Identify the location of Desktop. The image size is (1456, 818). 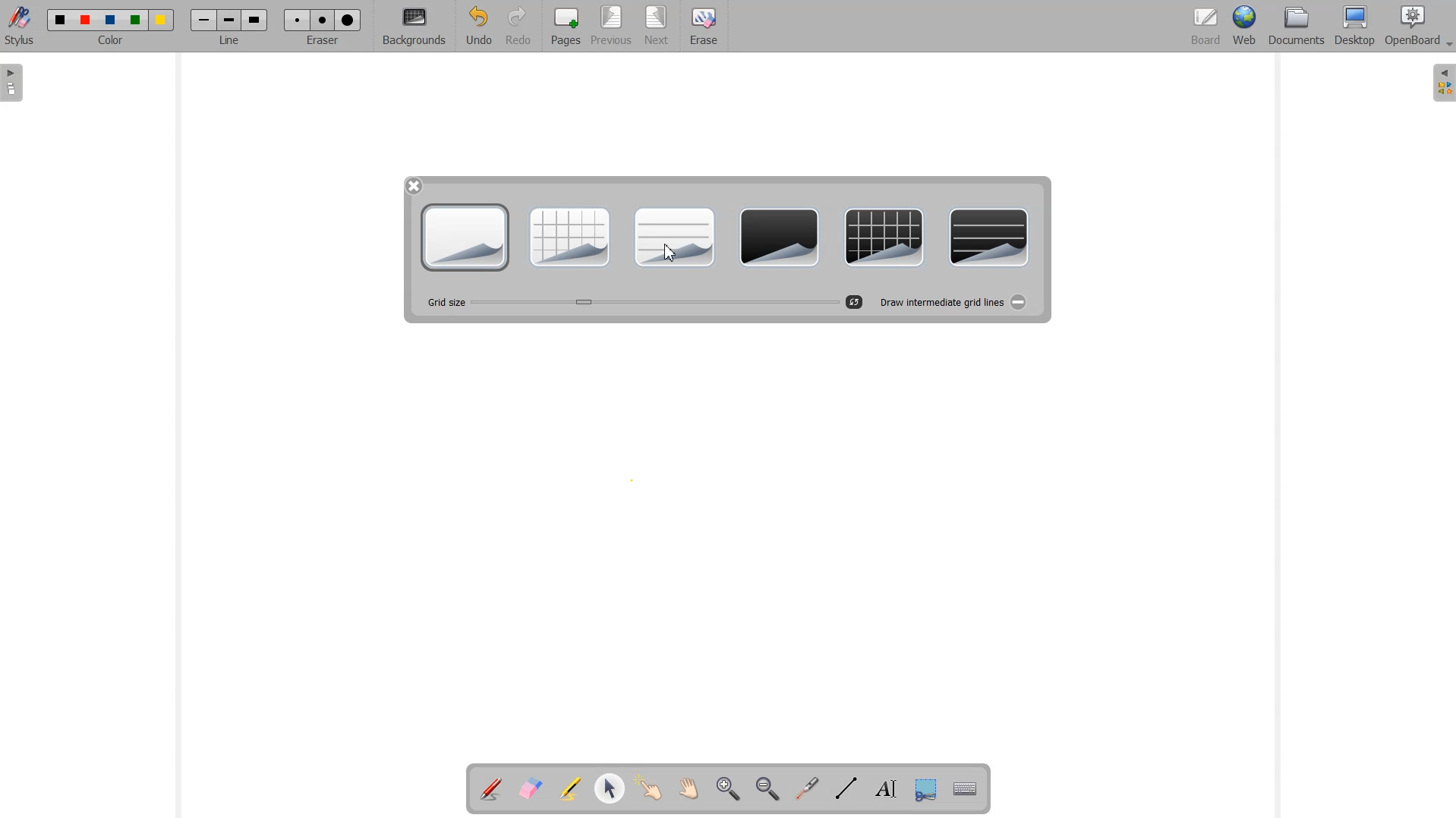
(1354, 27).